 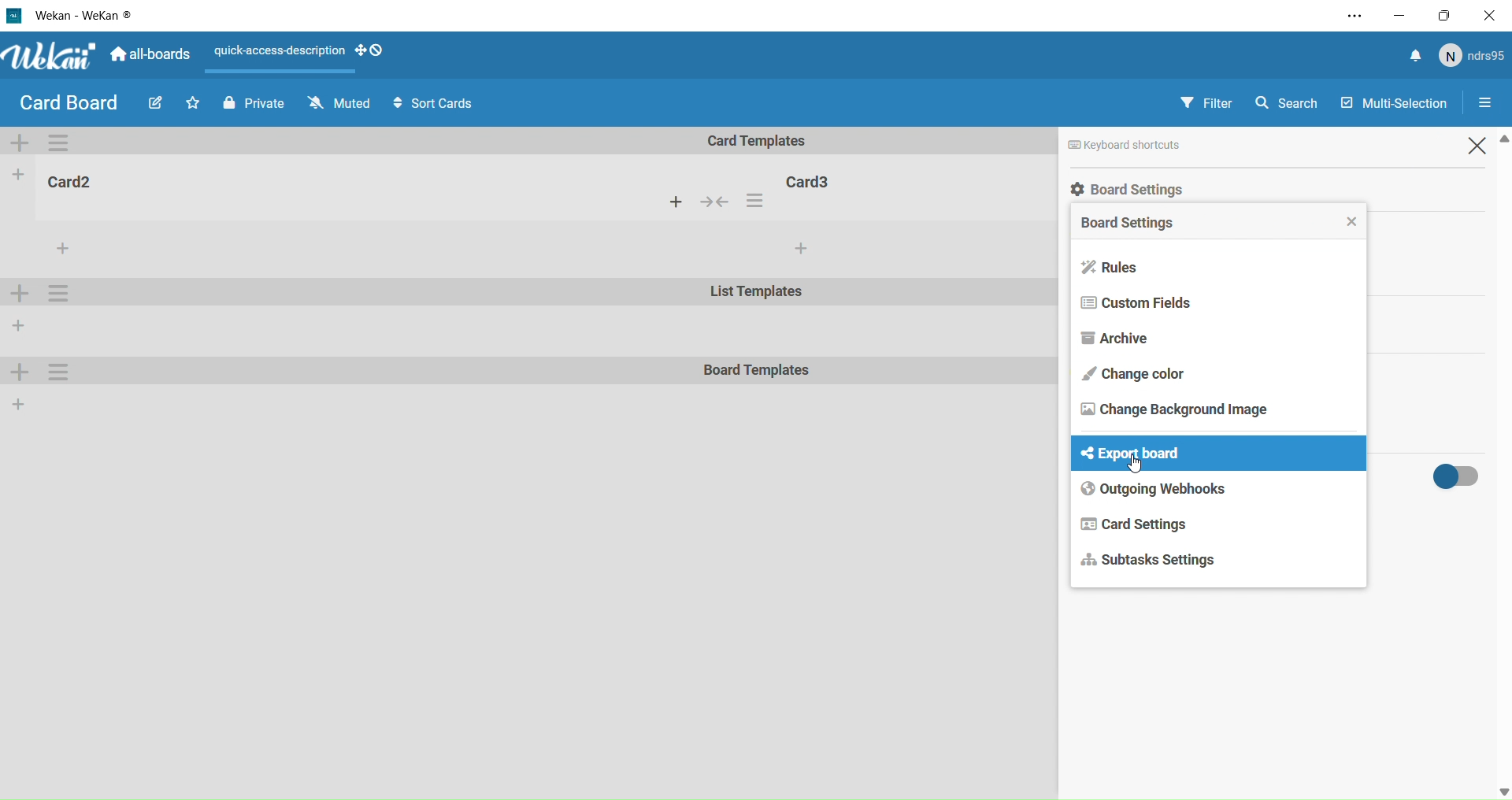 What do you see at coordinates (22, 374) in the screenshot?
I see `Add` at bounding box center [22, 374].